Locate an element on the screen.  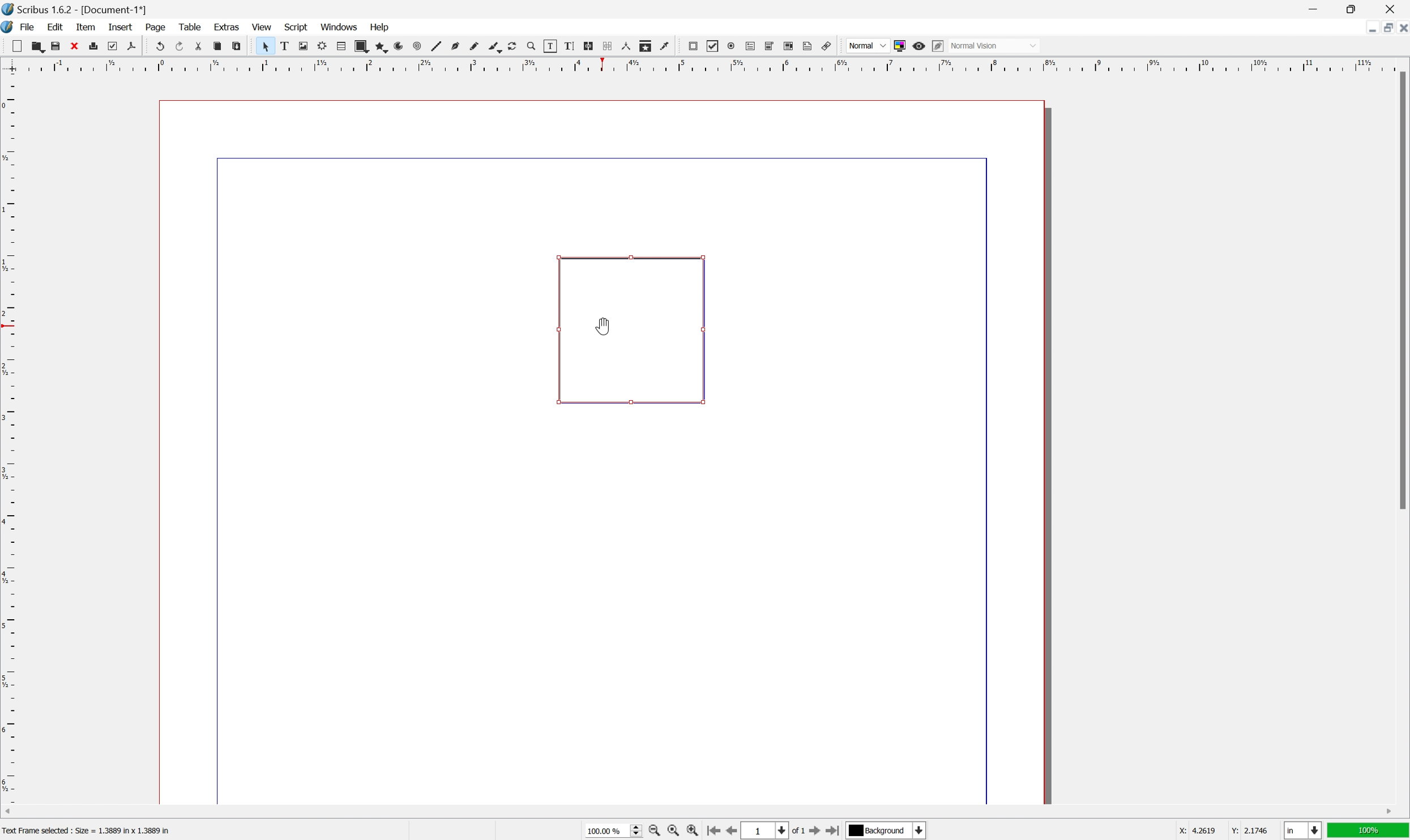
100% is located at coordinates (1369, 831).